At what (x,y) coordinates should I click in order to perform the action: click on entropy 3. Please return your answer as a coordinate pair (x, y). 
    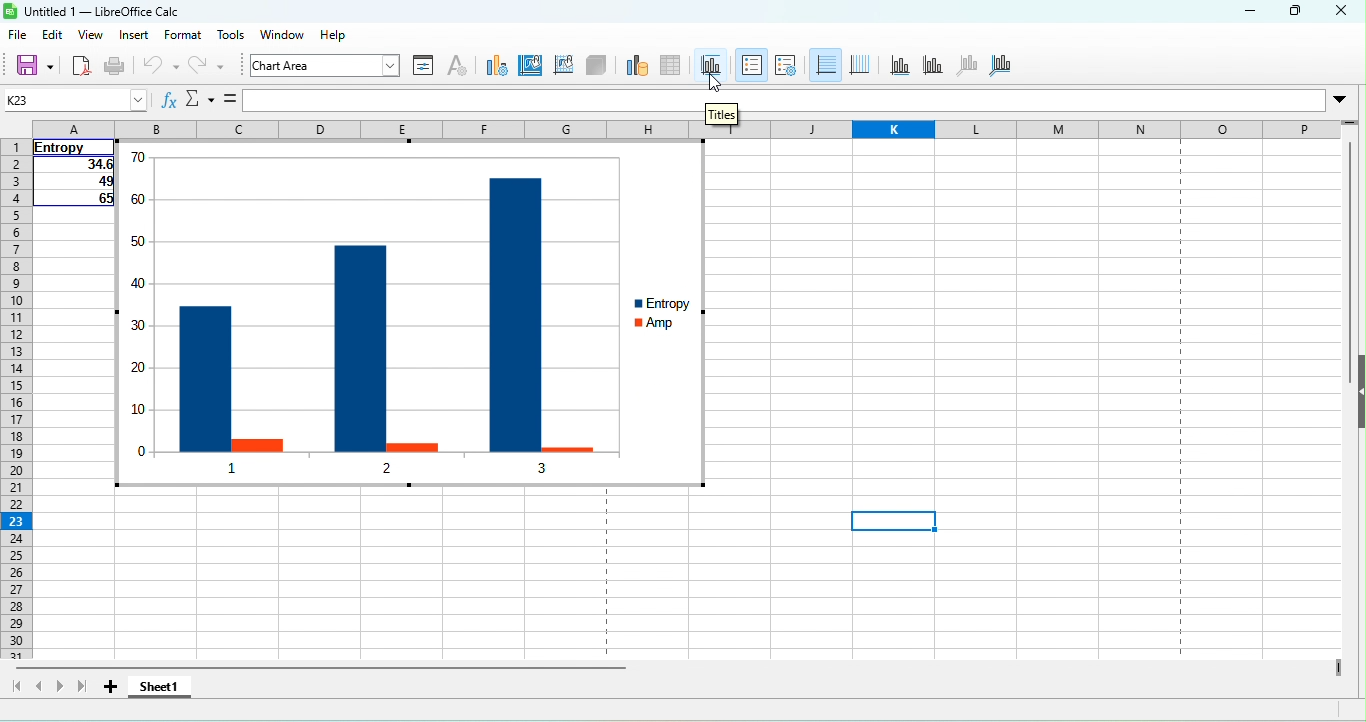
    Looking at the image, I should click on (514, 314).